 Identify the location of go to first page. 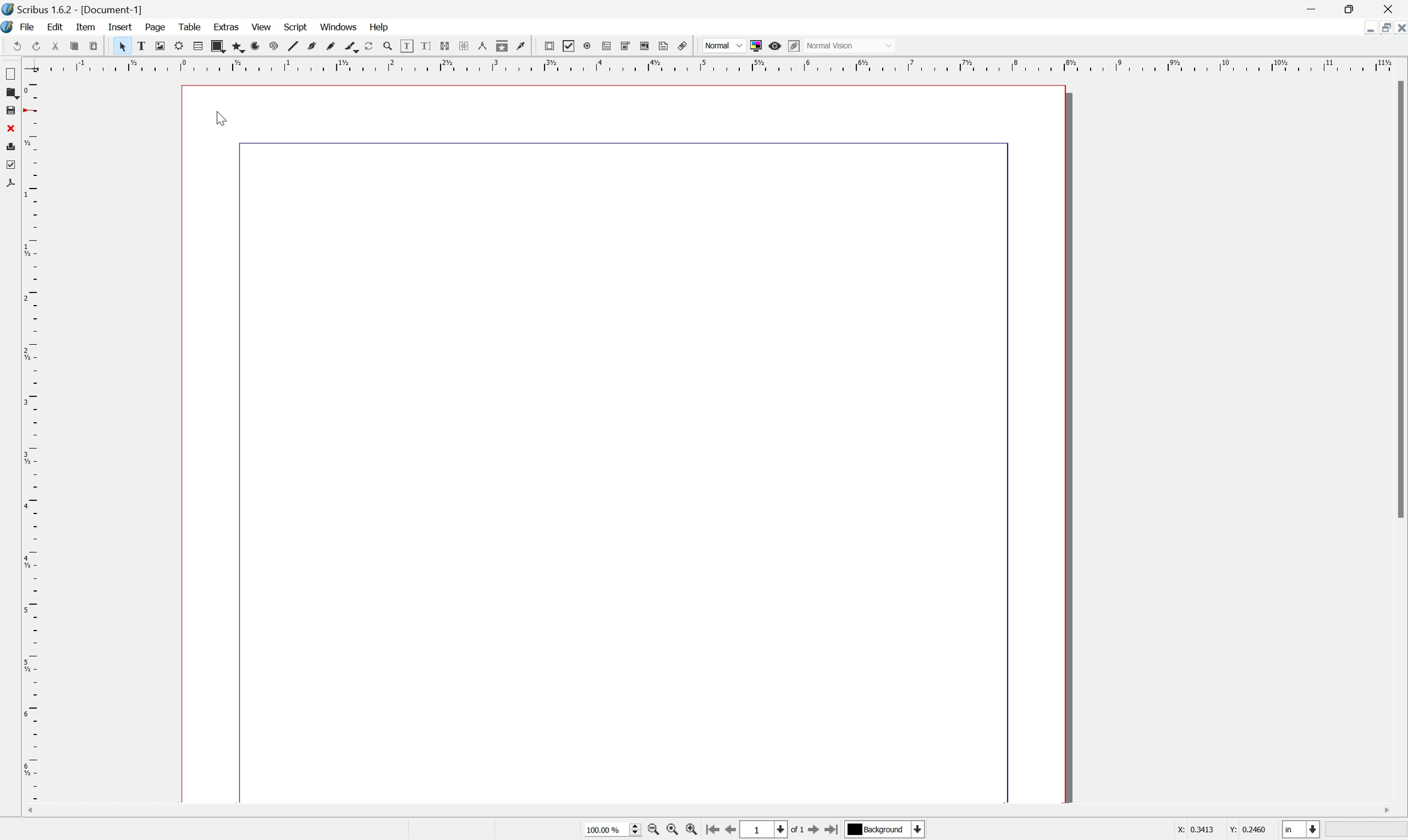
(711, 830).